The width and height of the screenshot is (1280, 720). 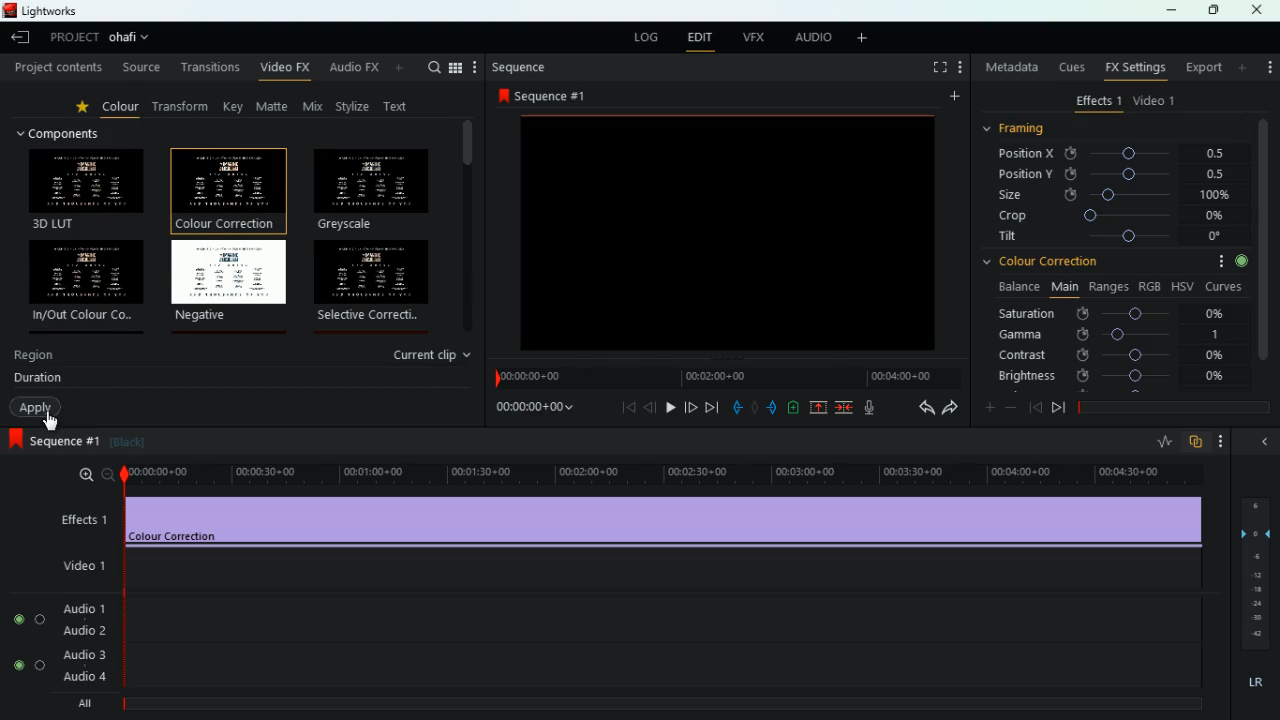 What do you see at coordinates (646, 36) in the screenshot?
I see `log` at bounding box center [646, 36].